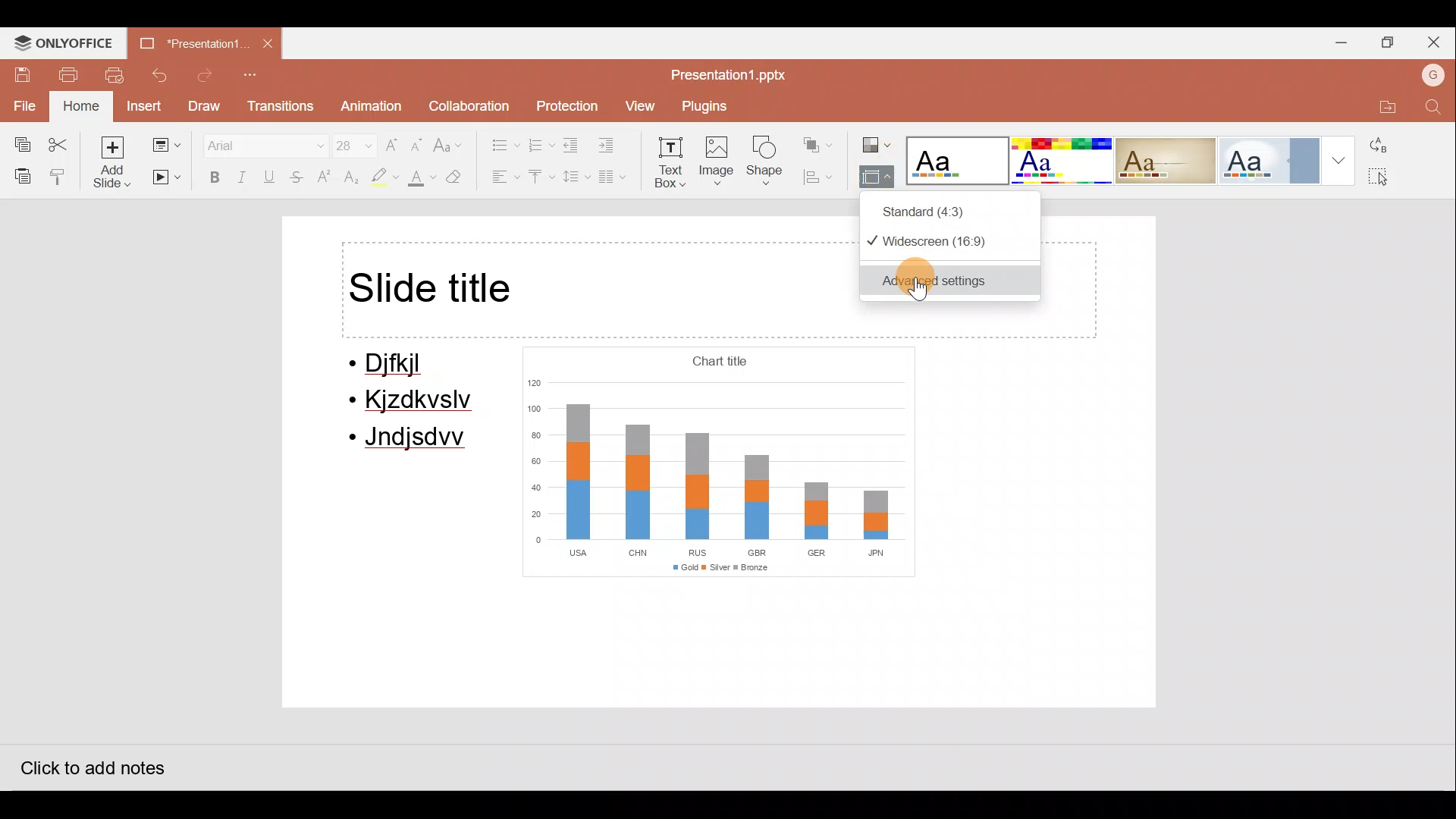 The height and width of the screenshot is (819, 1456). Describe the element at coordinates (1175, 160) in the screenshot. I see `Theme 3` at that location.